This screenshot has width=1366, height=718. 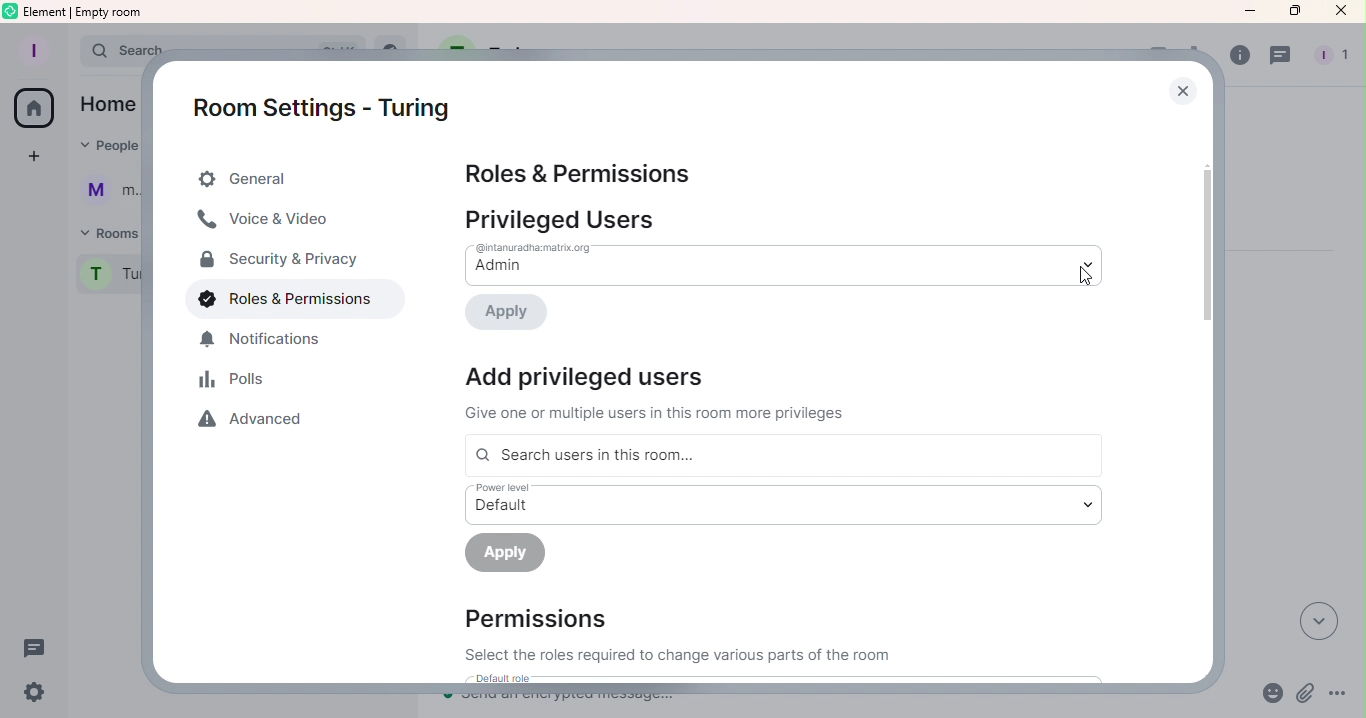 What do you see at coordinates (1272, 695) in the screenshot?
I see `Emoji` at bounding box center [1272, 695].